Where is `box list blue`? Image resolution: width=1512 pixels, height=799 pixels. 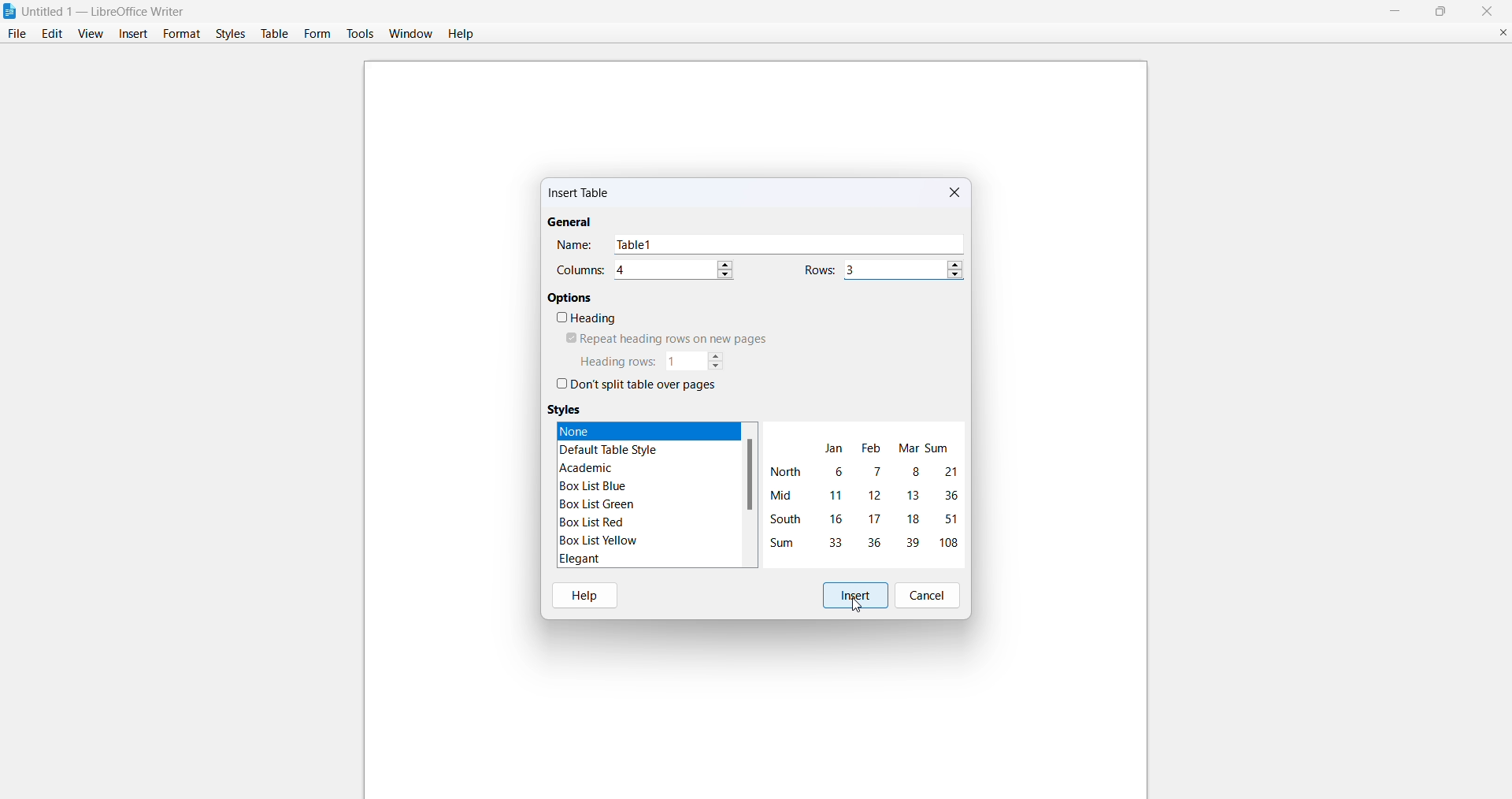 box list blue is located at coordinates (595, 486).